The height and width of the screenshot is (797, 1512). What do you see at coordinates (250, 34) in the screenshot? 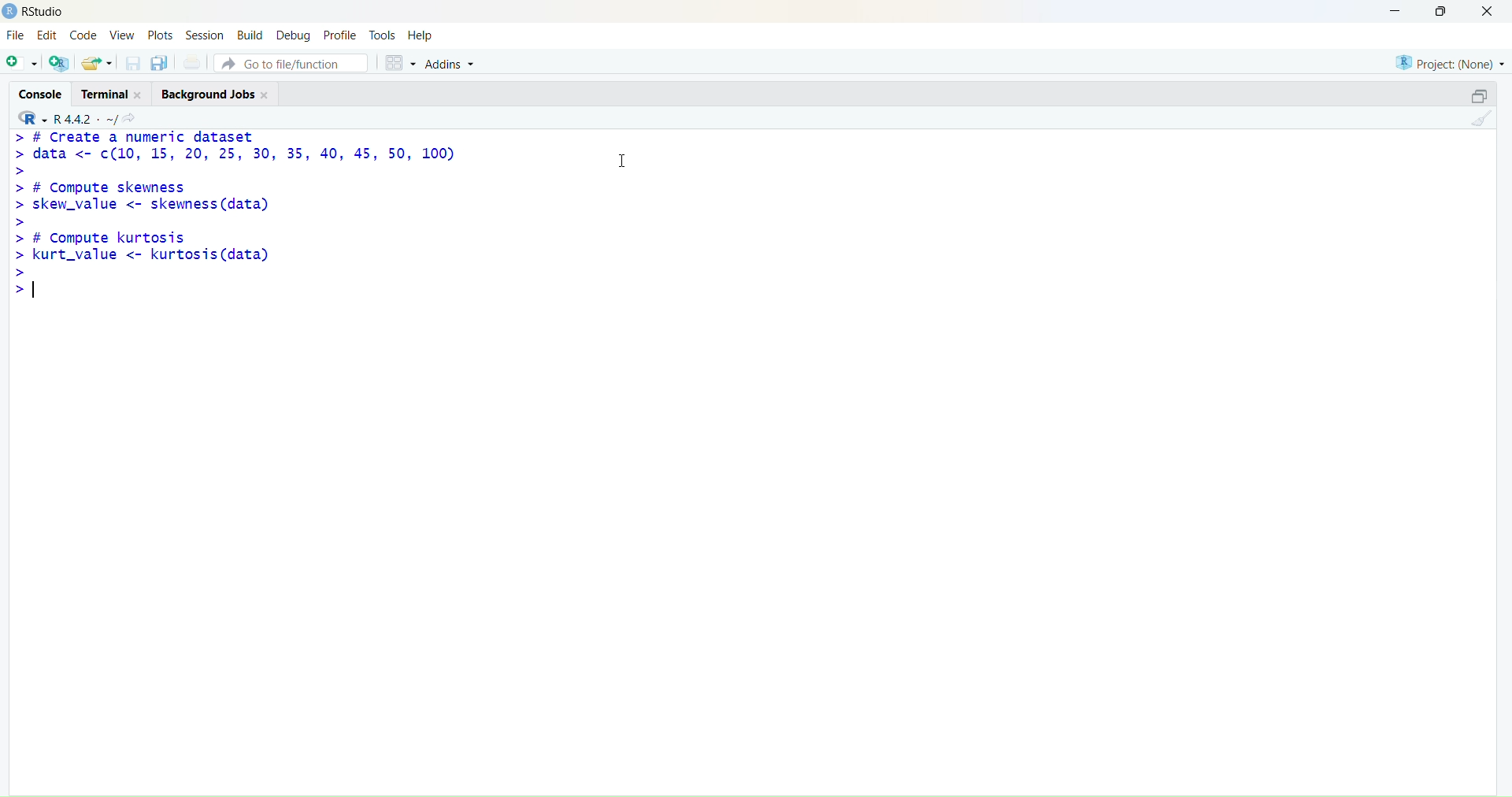
I see `Build` at bounding box center [250, 34].